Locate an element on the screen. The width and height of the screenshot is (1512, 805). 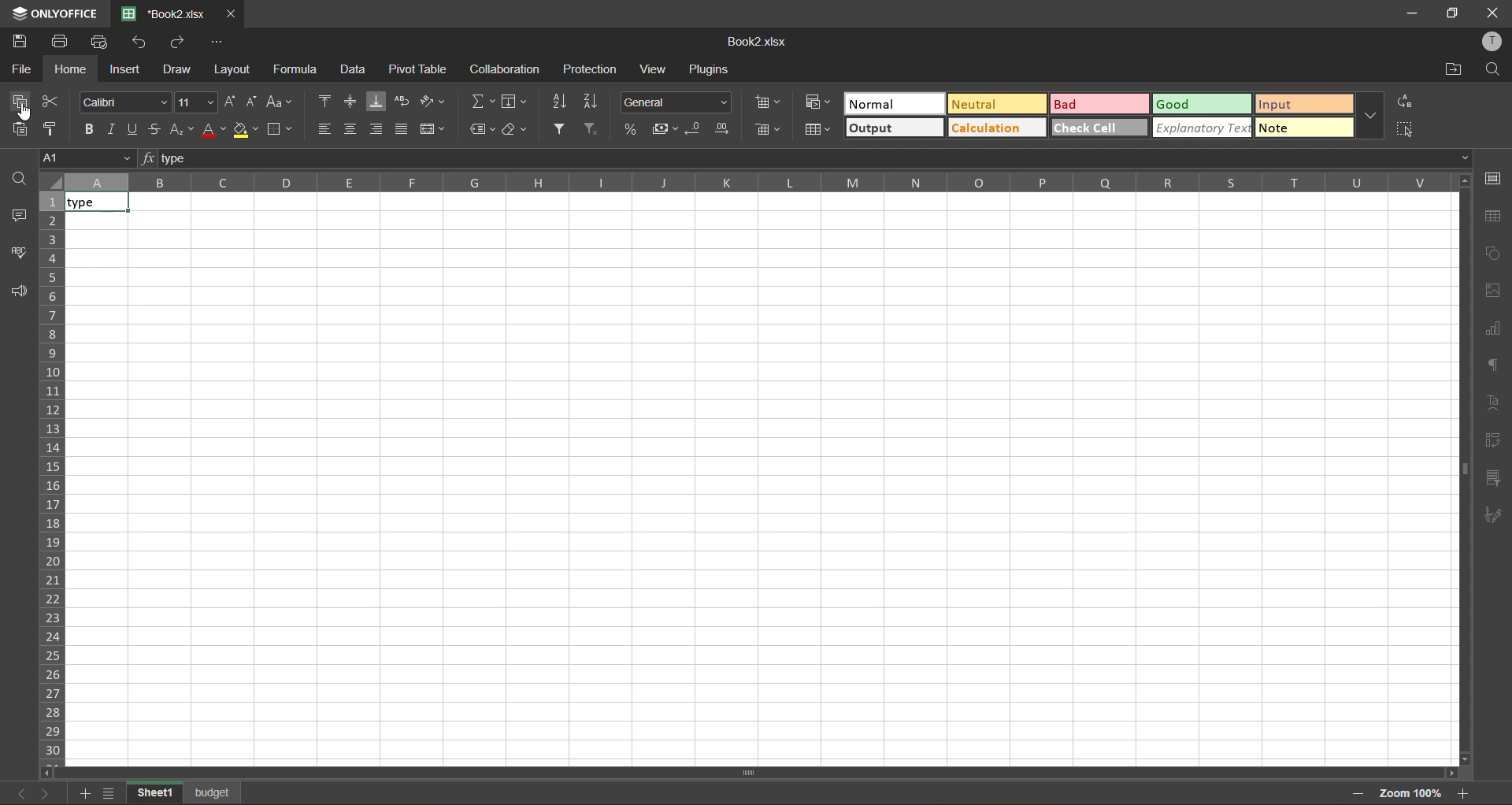
sheet names is located at coordinates (185, 792).